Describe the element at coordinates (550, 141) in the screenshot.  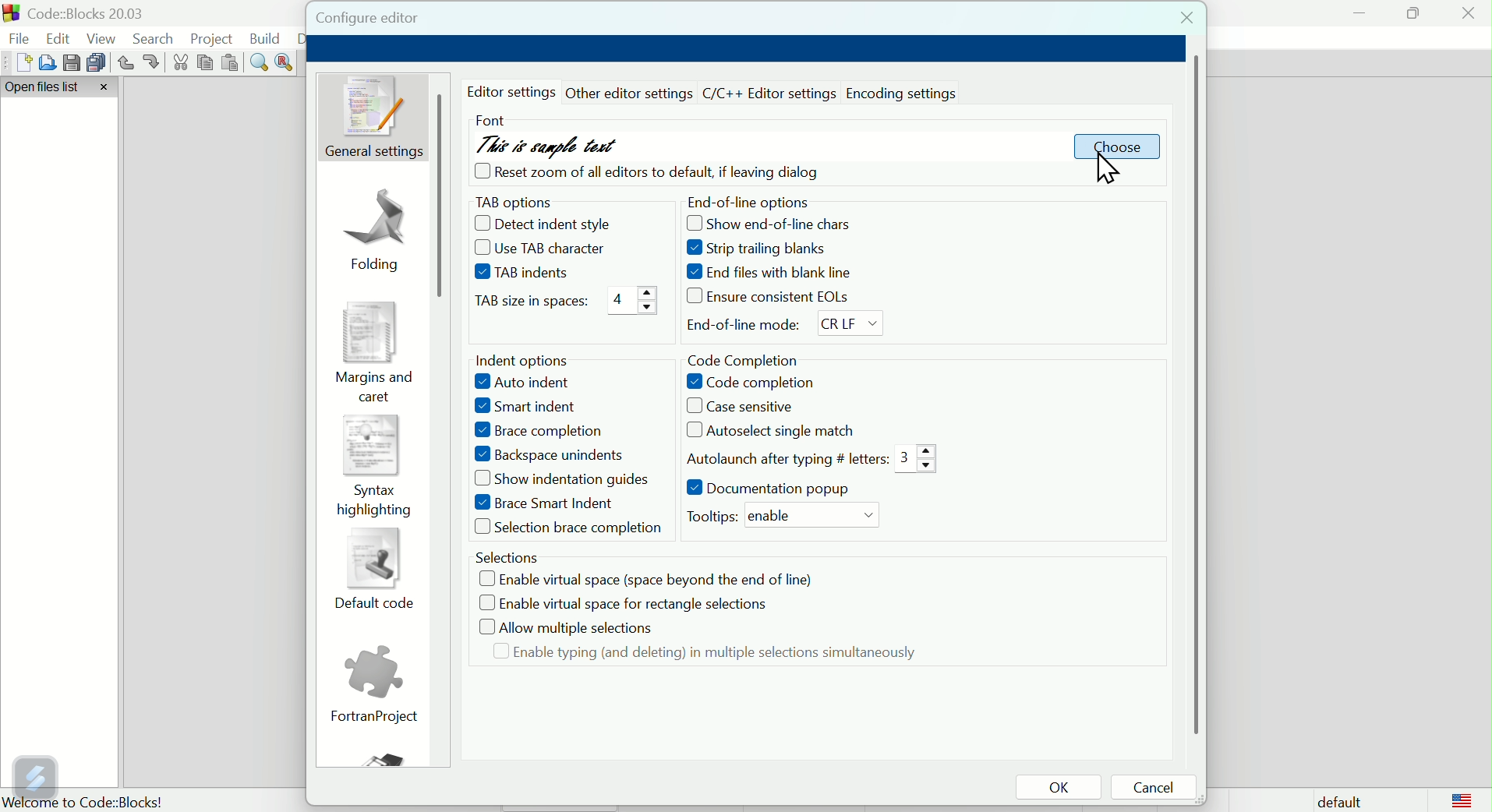
I see `This is sample text` at that location.